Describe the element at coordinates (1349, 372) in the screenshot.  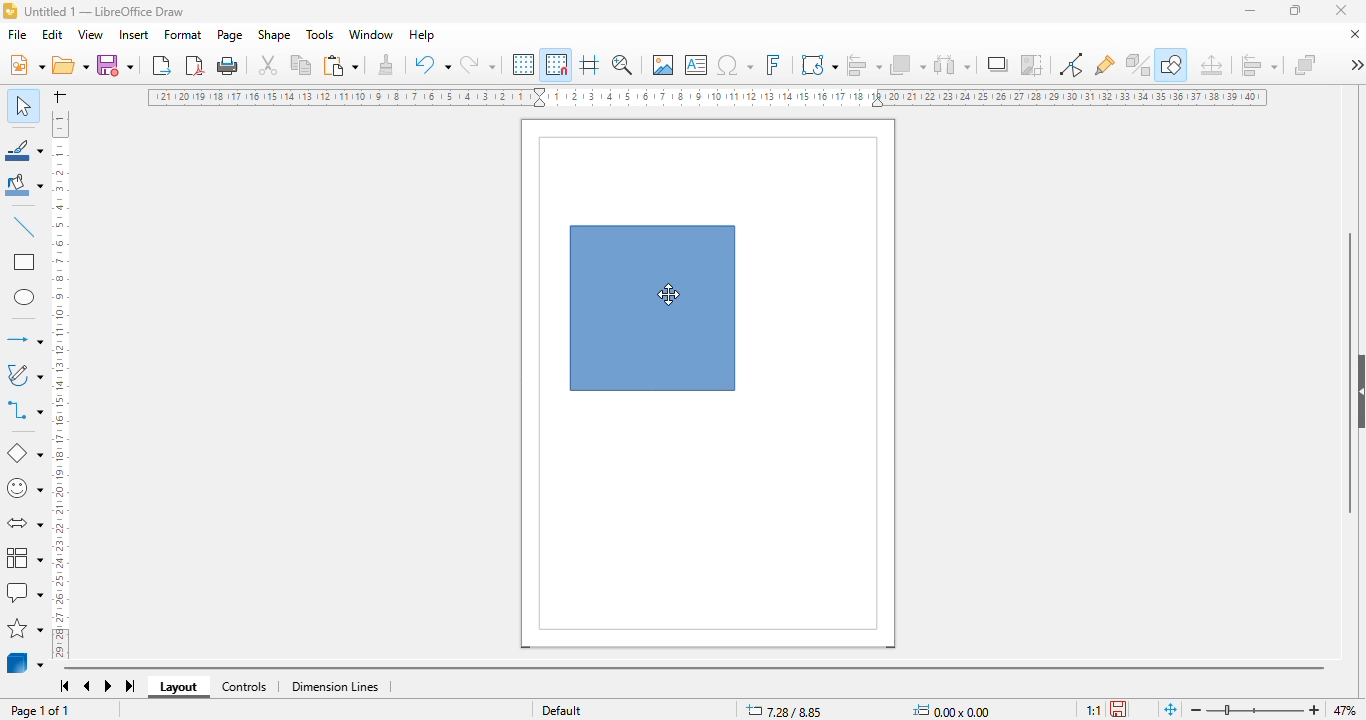
I see `vertical scroll bar` at that location.